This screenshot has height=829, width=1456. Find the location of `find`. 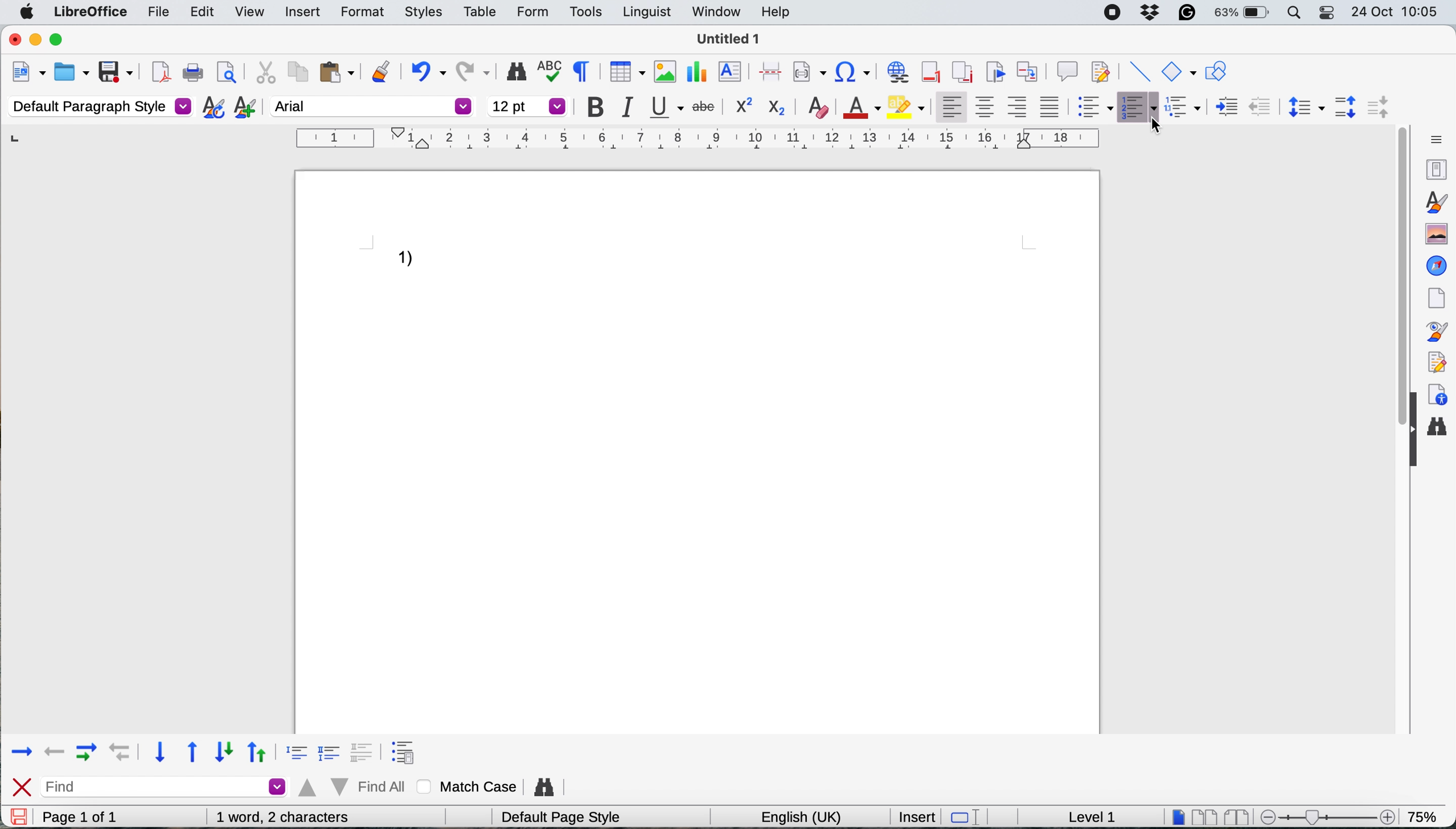

find is located at coordinates (168, 786).